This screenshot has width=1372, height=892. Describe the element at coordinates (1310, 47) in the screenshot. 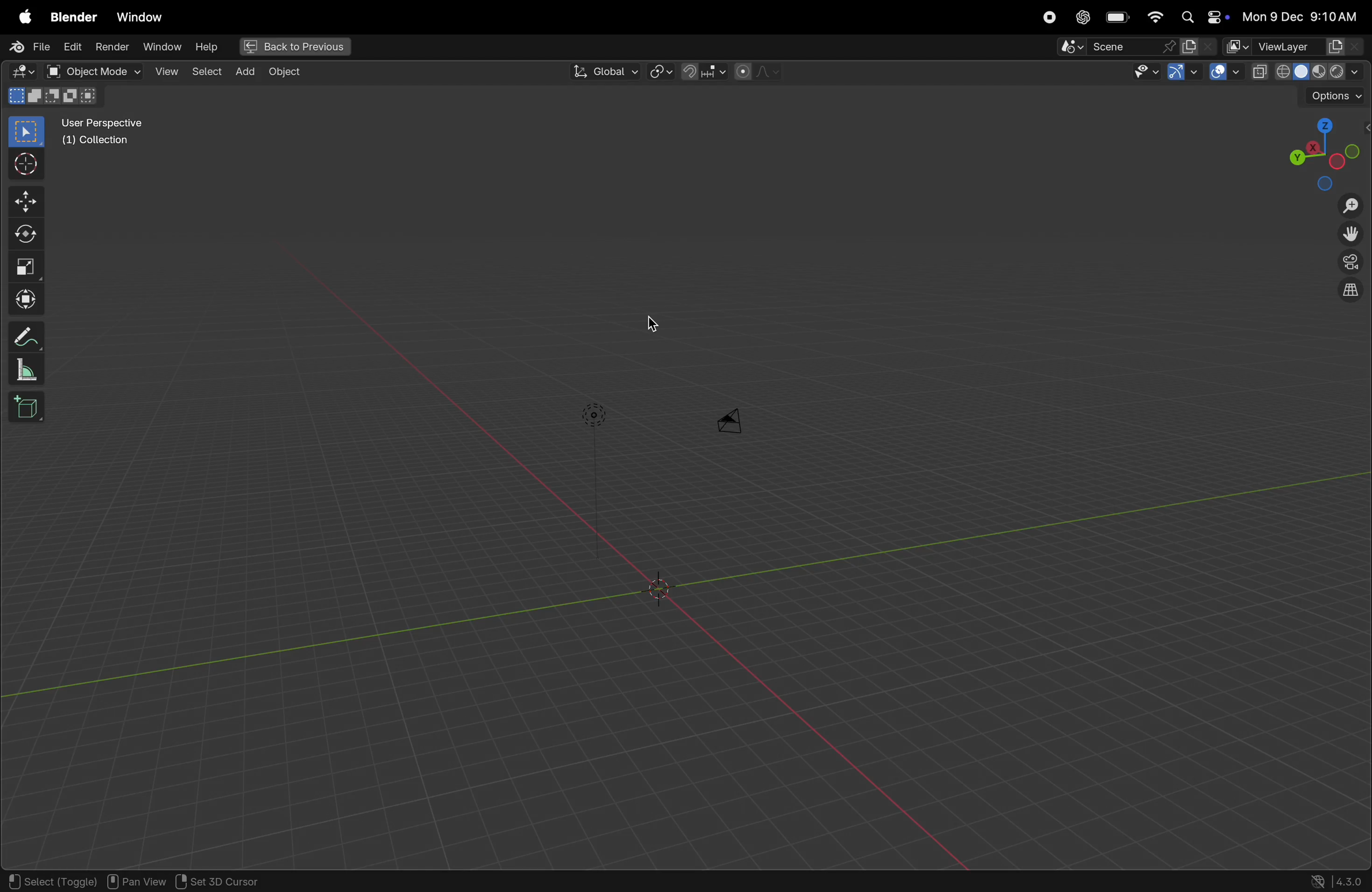

I see `view layers` at that location.